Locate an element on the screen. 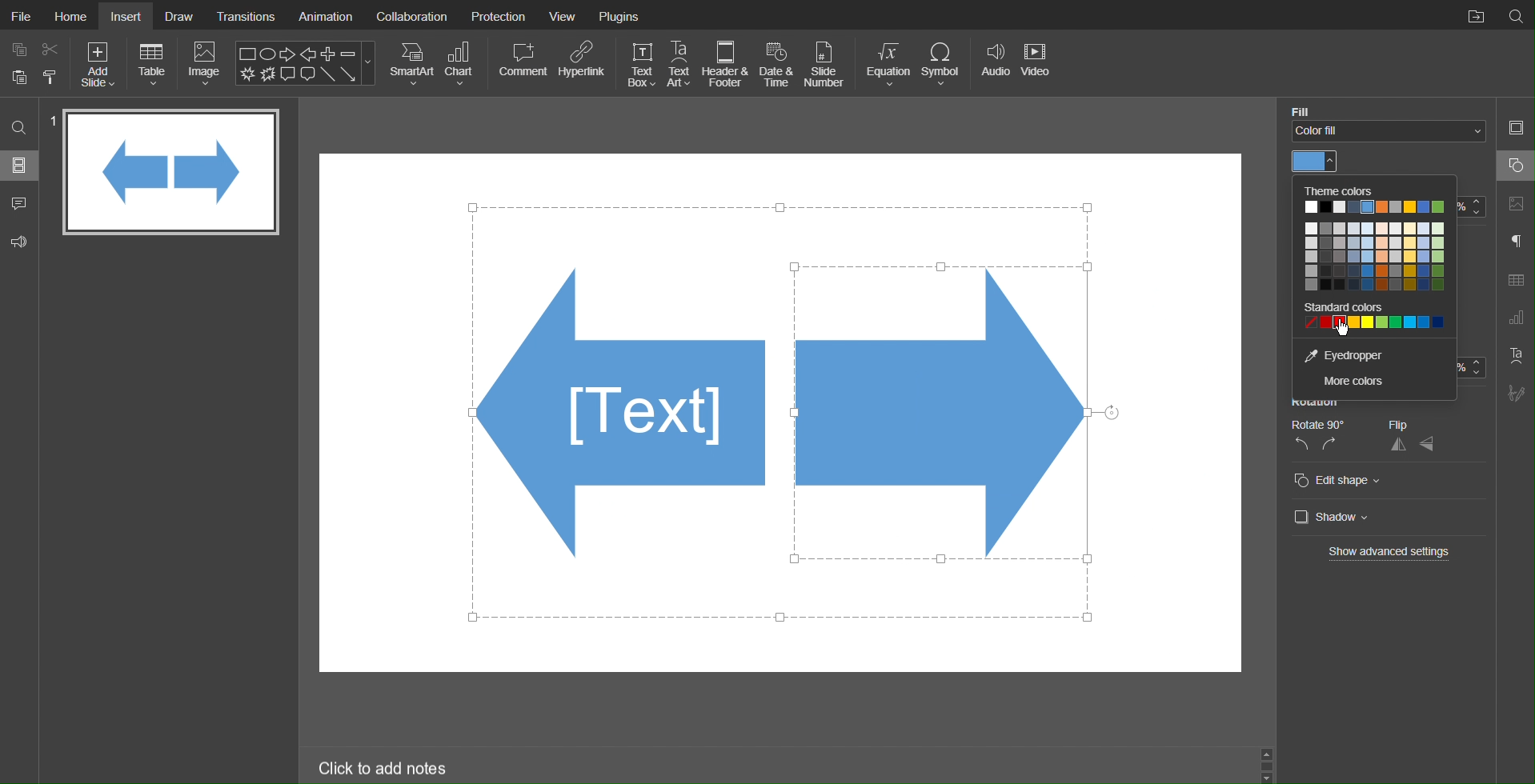  Symbol is located at coordinates (941, 63).